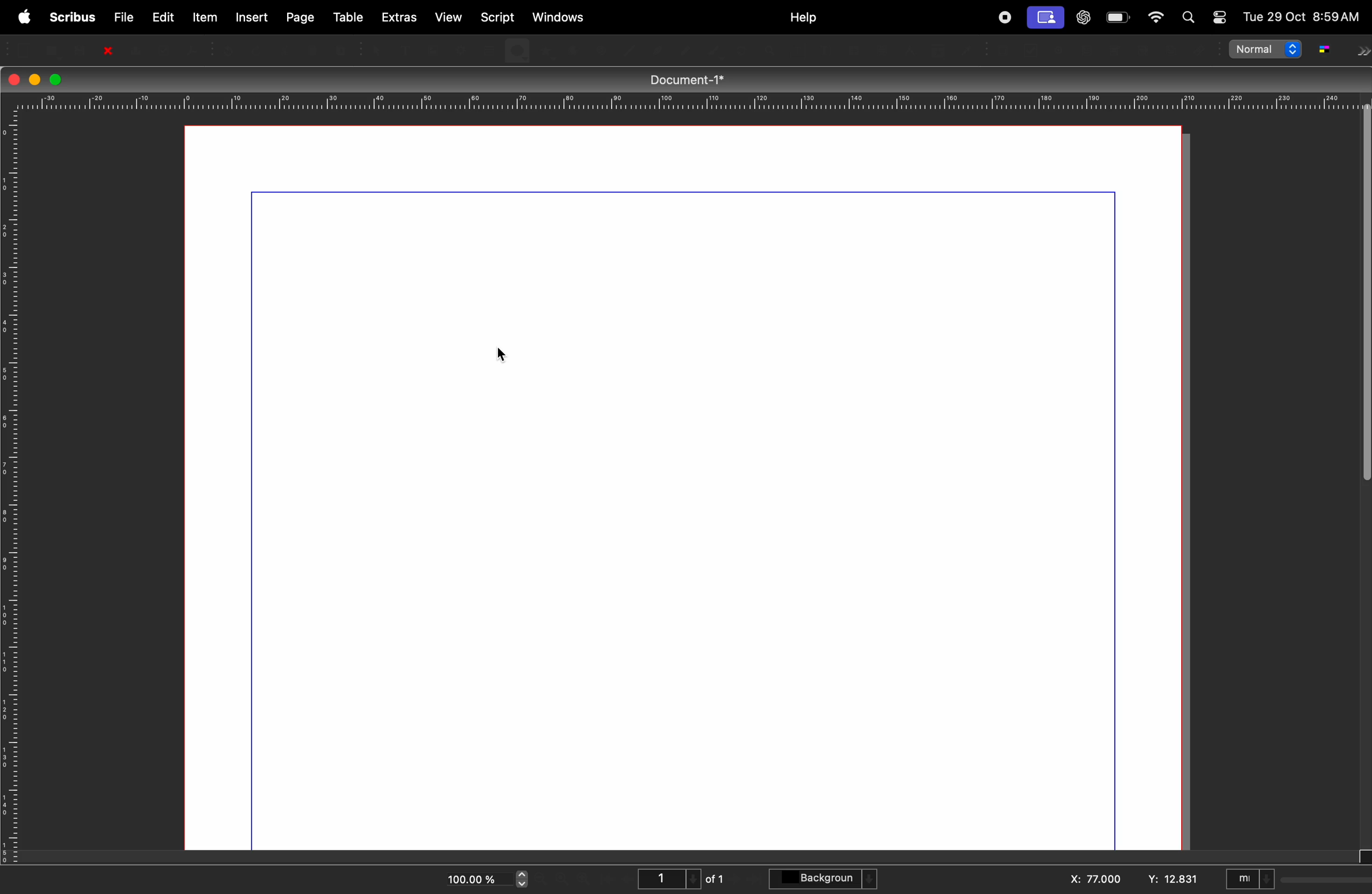 This screenshot has height=894, width=1372. Describe the element at coordinates (797, 51) in the screenshot. I see `Edit contents of frame` at that location.